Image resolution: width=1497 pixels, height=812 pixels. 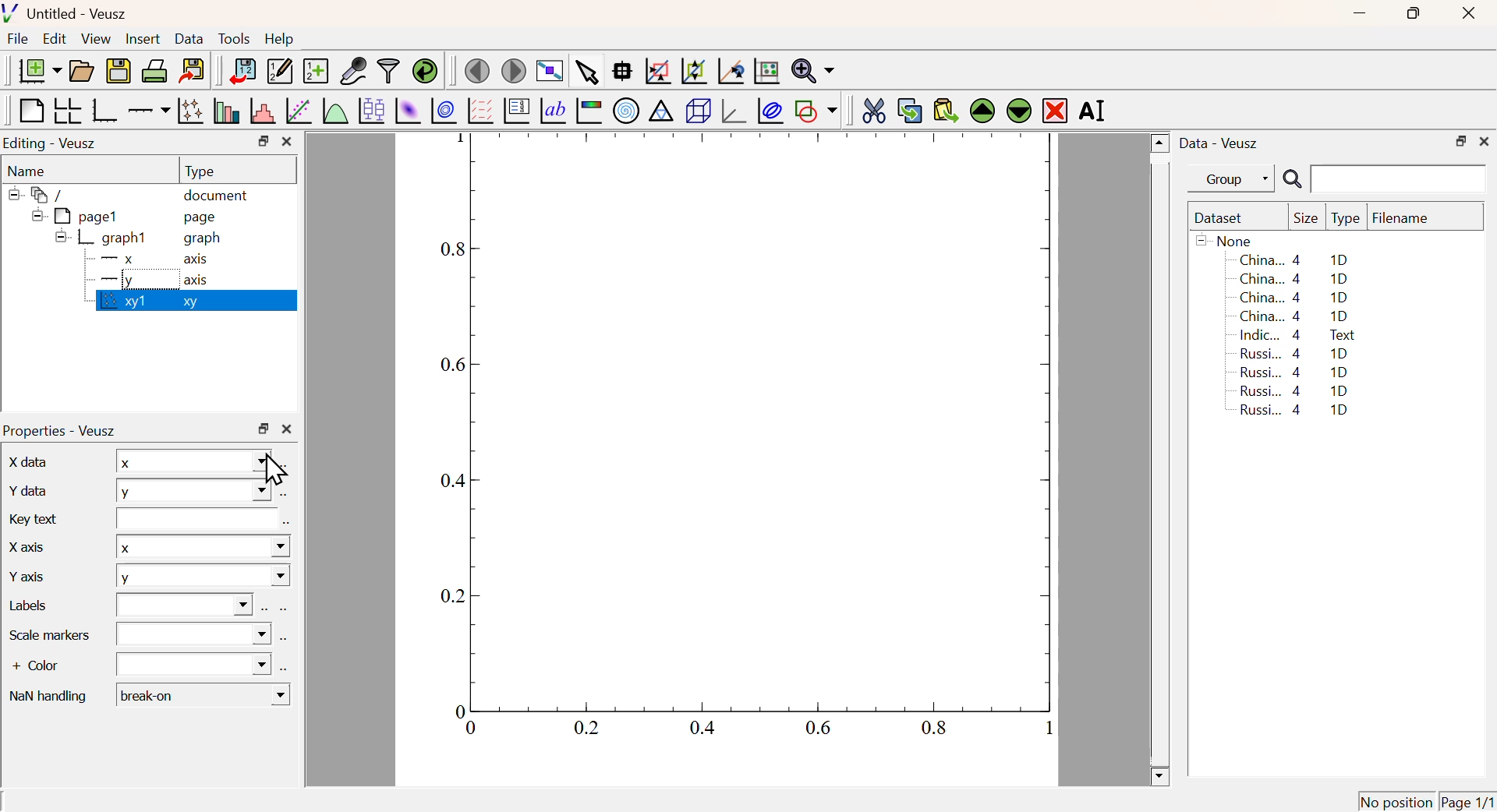 I want to click on Select using dataset Browser, so click(x=286, y=524).